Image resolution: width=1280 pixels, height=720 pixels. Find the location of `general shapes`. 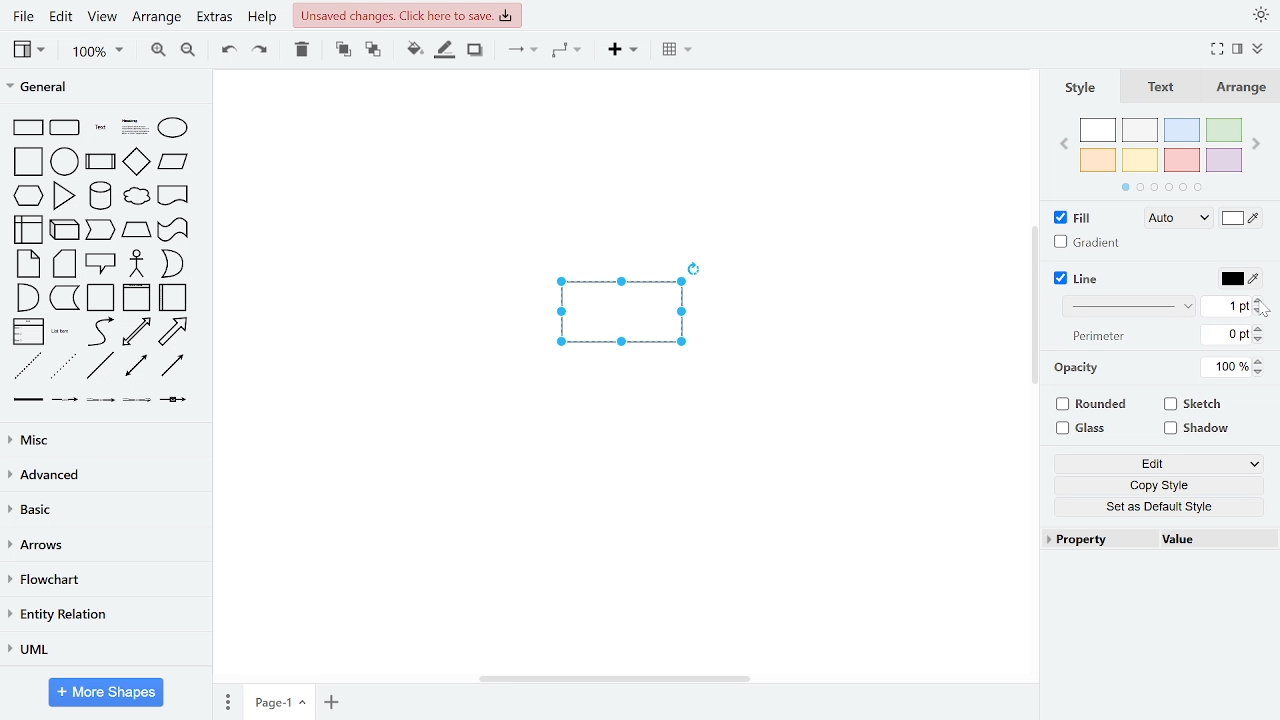

general shapes is located at coordinates (28, 331).